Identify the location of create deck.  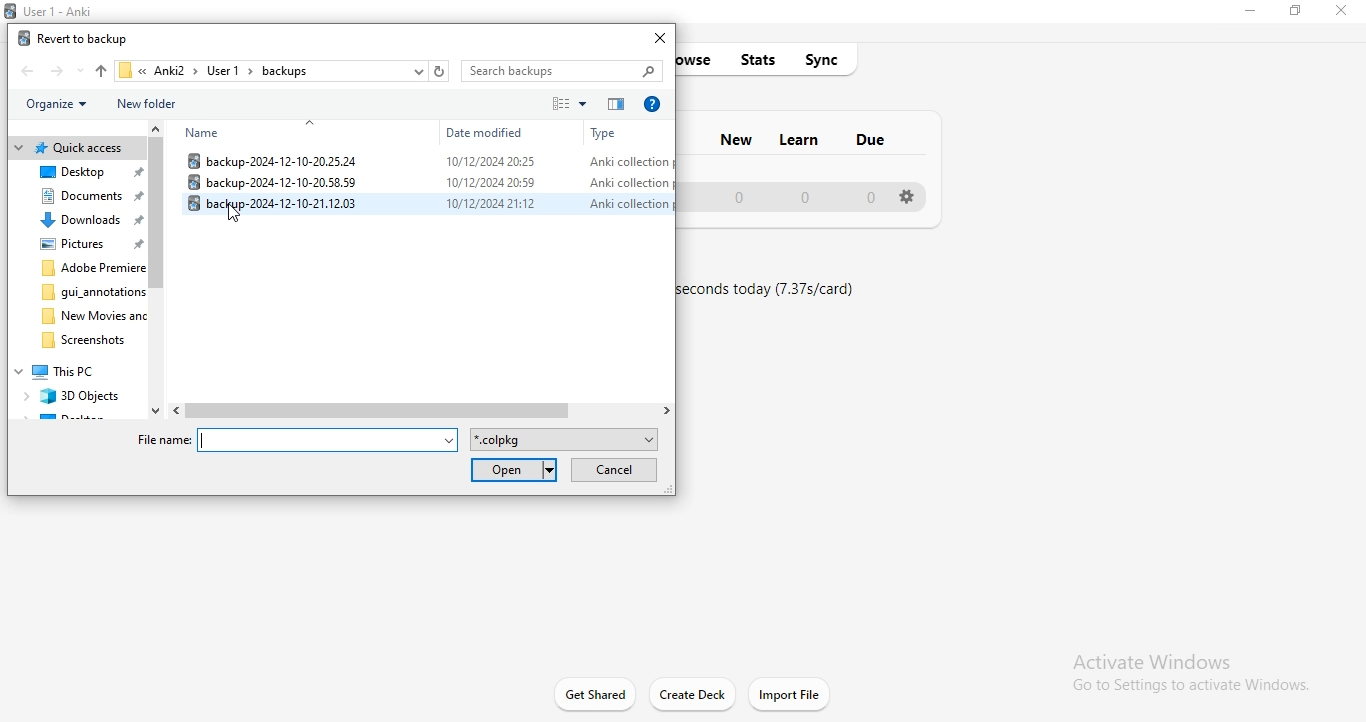
(694, 694).